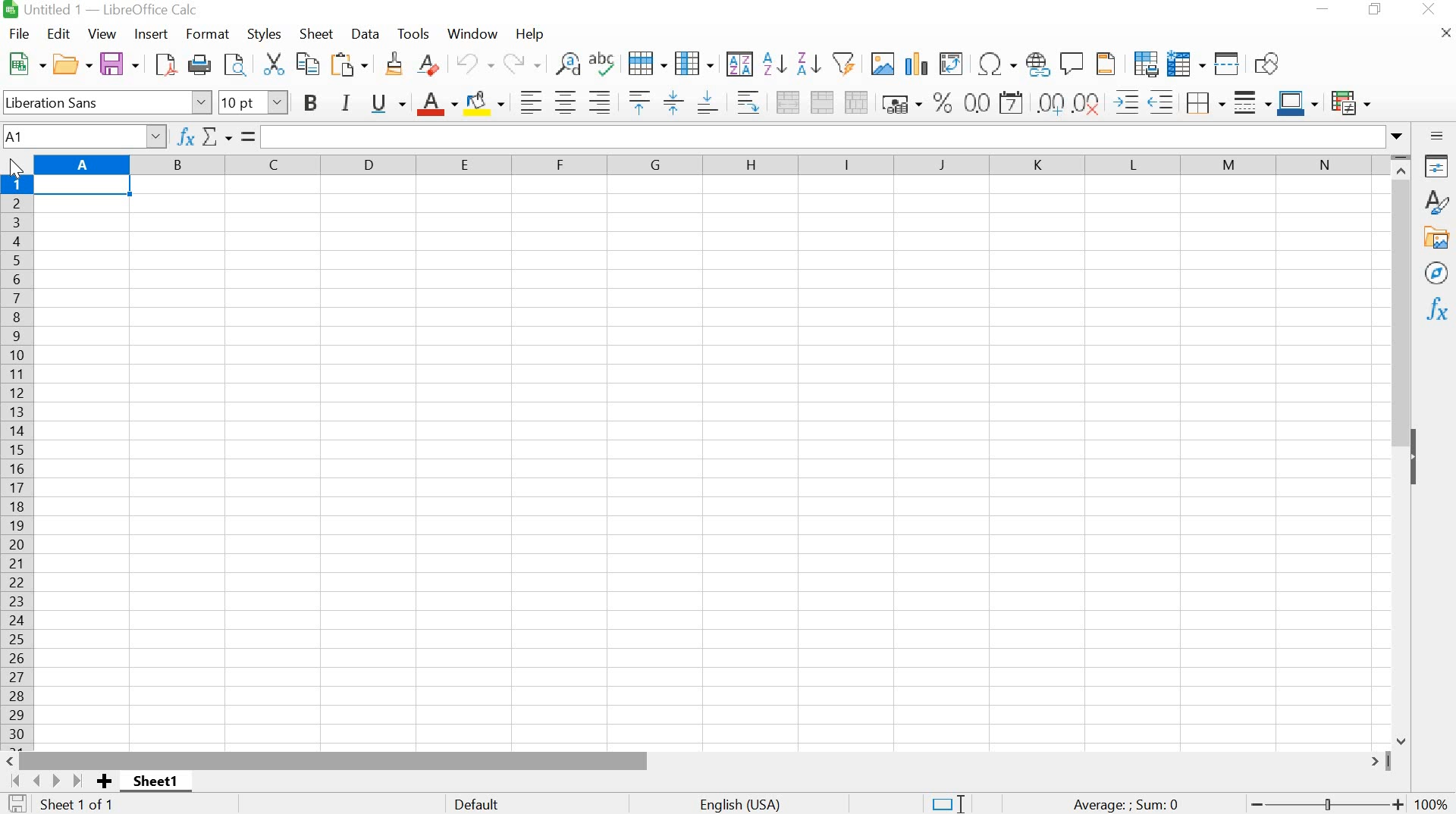 This screenshot has width=1456, height=814. I want to click on Functions, so click(1435, 307).